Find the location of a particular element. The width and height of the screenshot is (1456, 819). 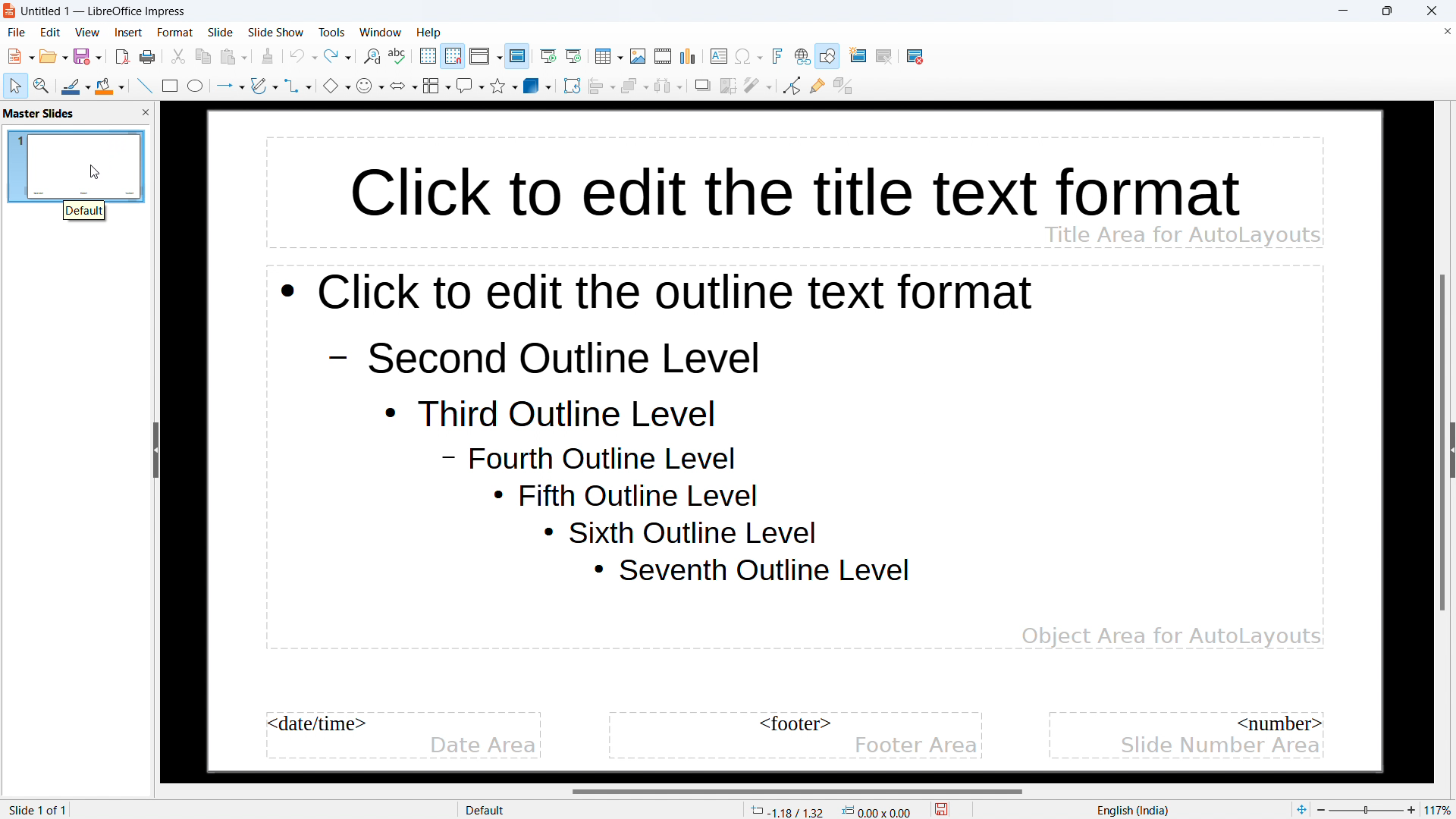

basic shapes is located at coordinates (337, 85).